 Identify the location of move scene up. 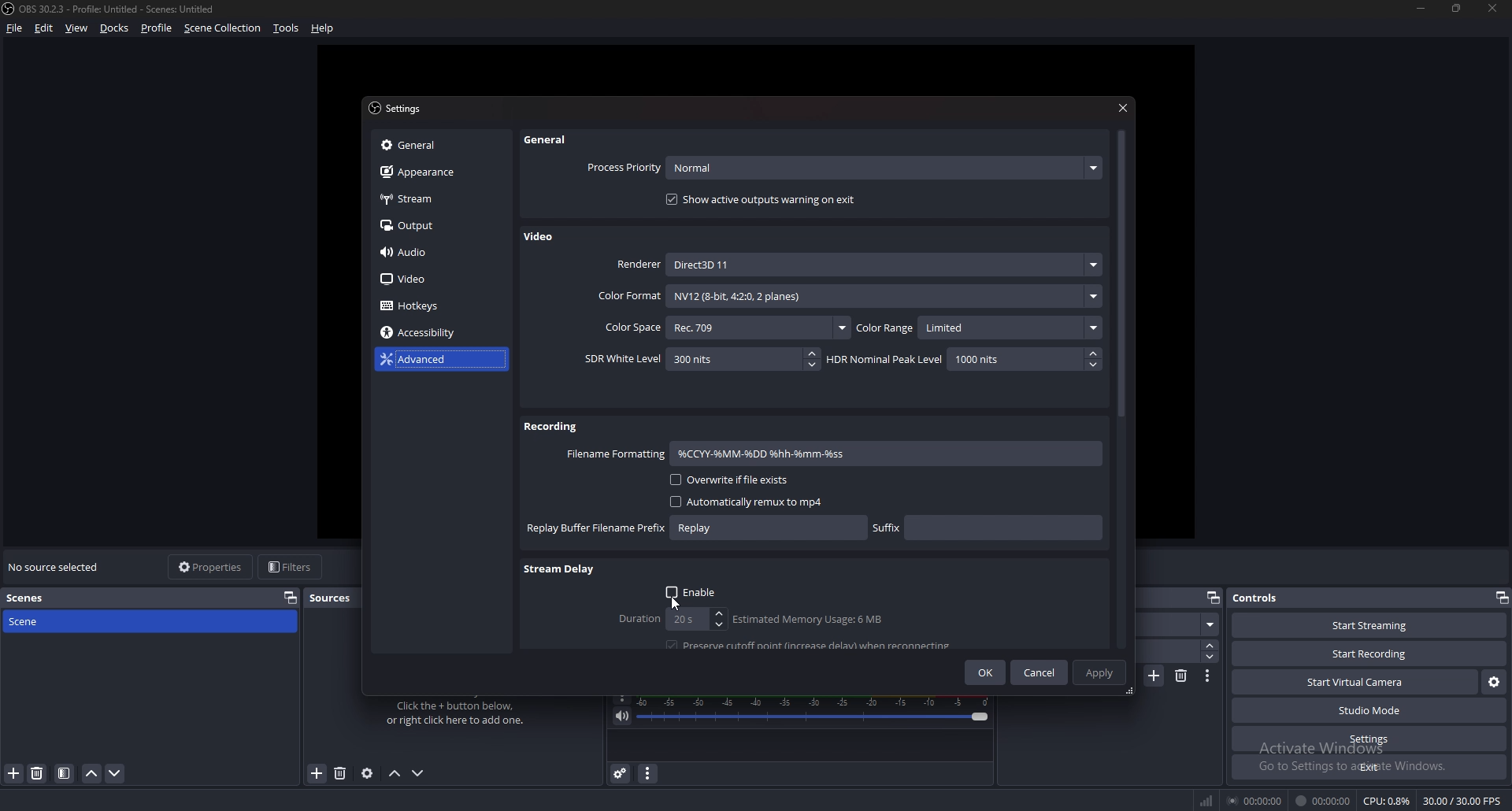
(94, 775).